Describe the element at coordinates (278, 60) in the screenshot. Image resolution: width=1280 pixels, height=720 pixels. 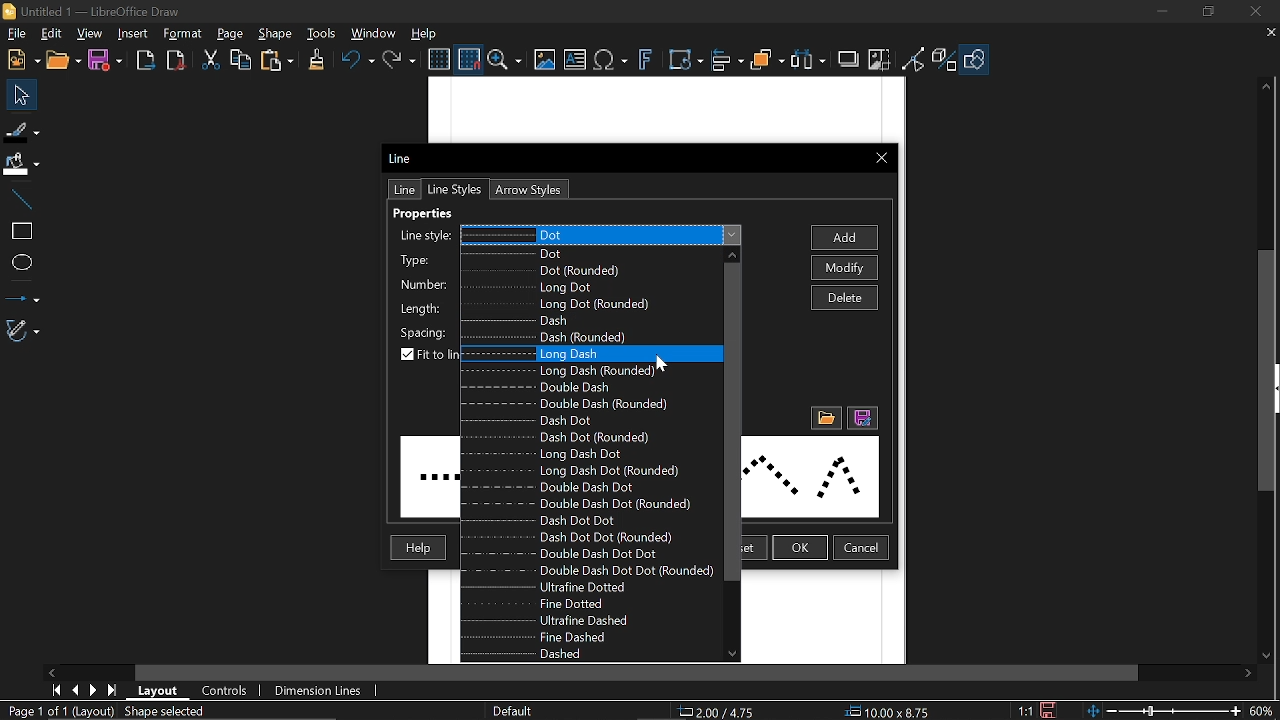
I see `paste` at that location.